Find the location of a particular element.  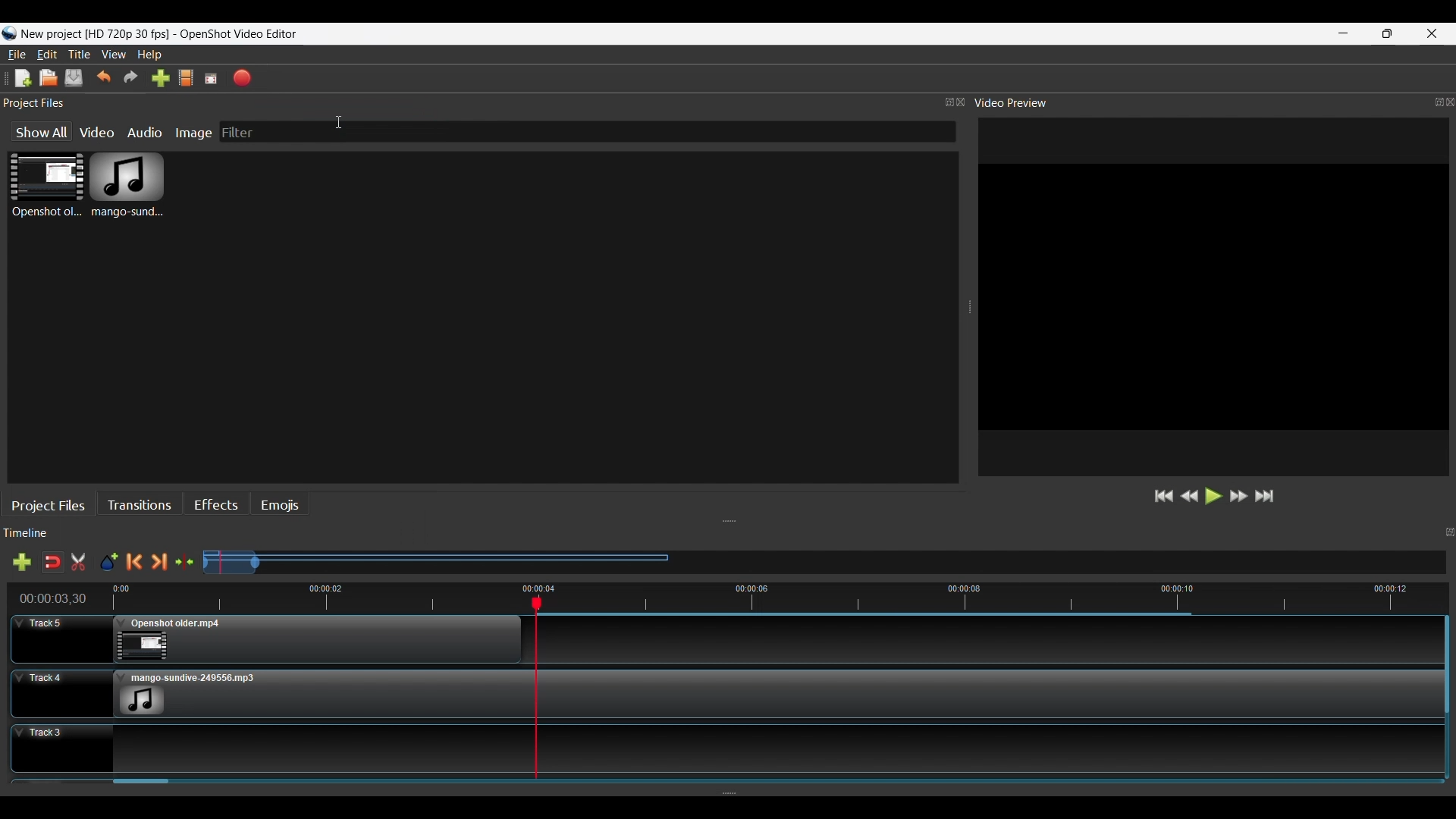

Open Project is located at coordinates (49, 78).